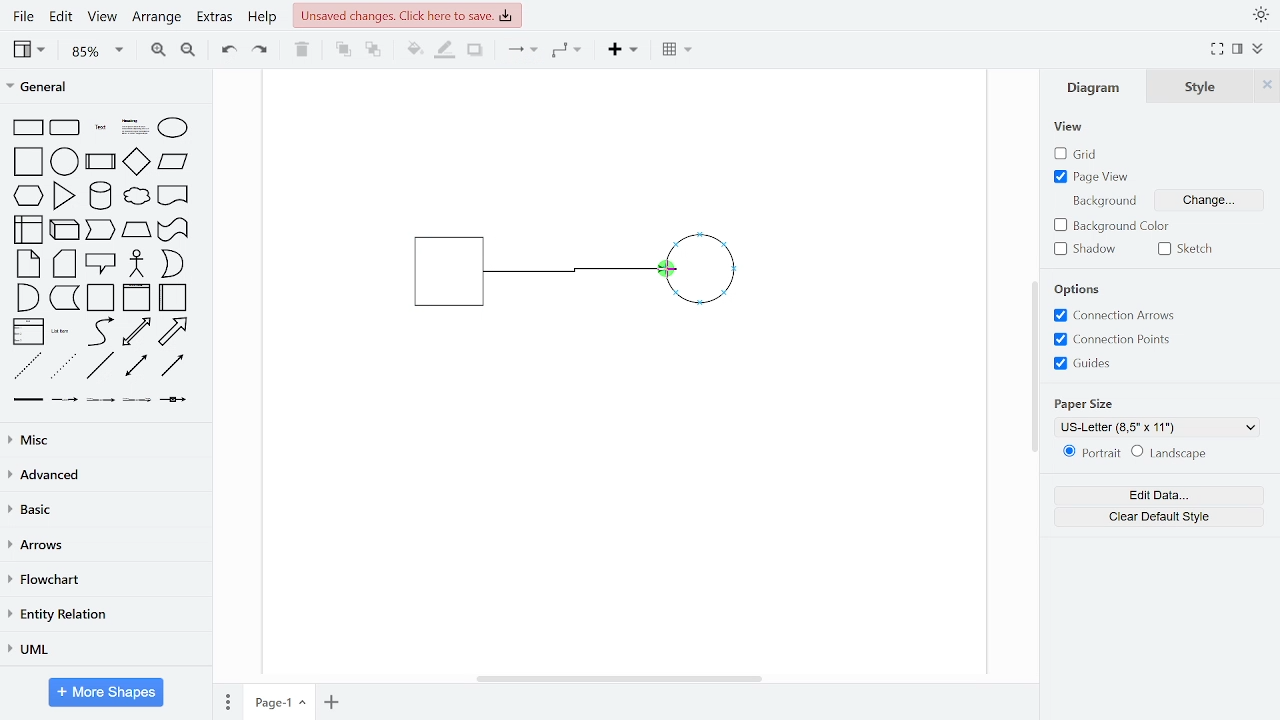 This screenshot has width=1280, height=720. I want to click on portrait, so click(1092, 453).